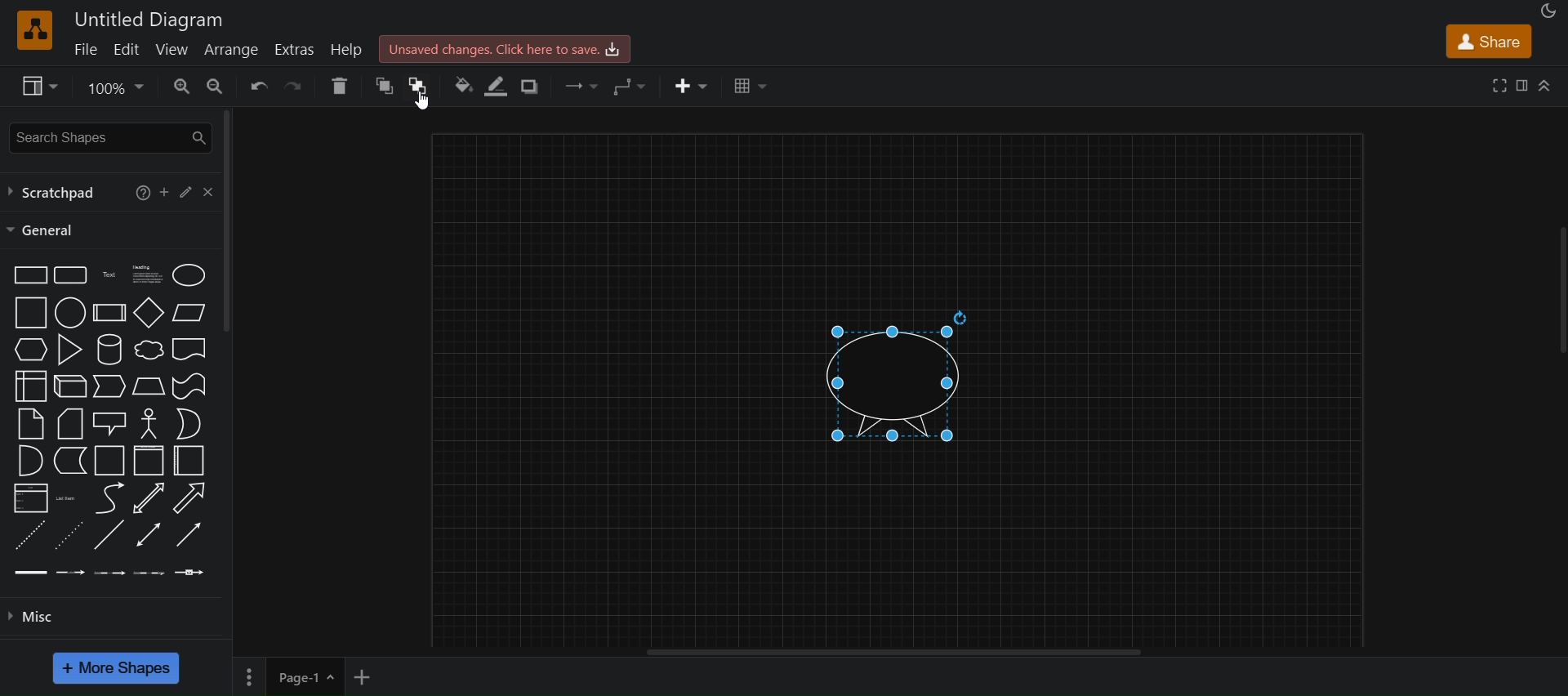 This screenshot has height=696, width=1568. What do you see at coordinates (109, 536) in the screenshot?
I see `link ` at bounding box center [109, 536].